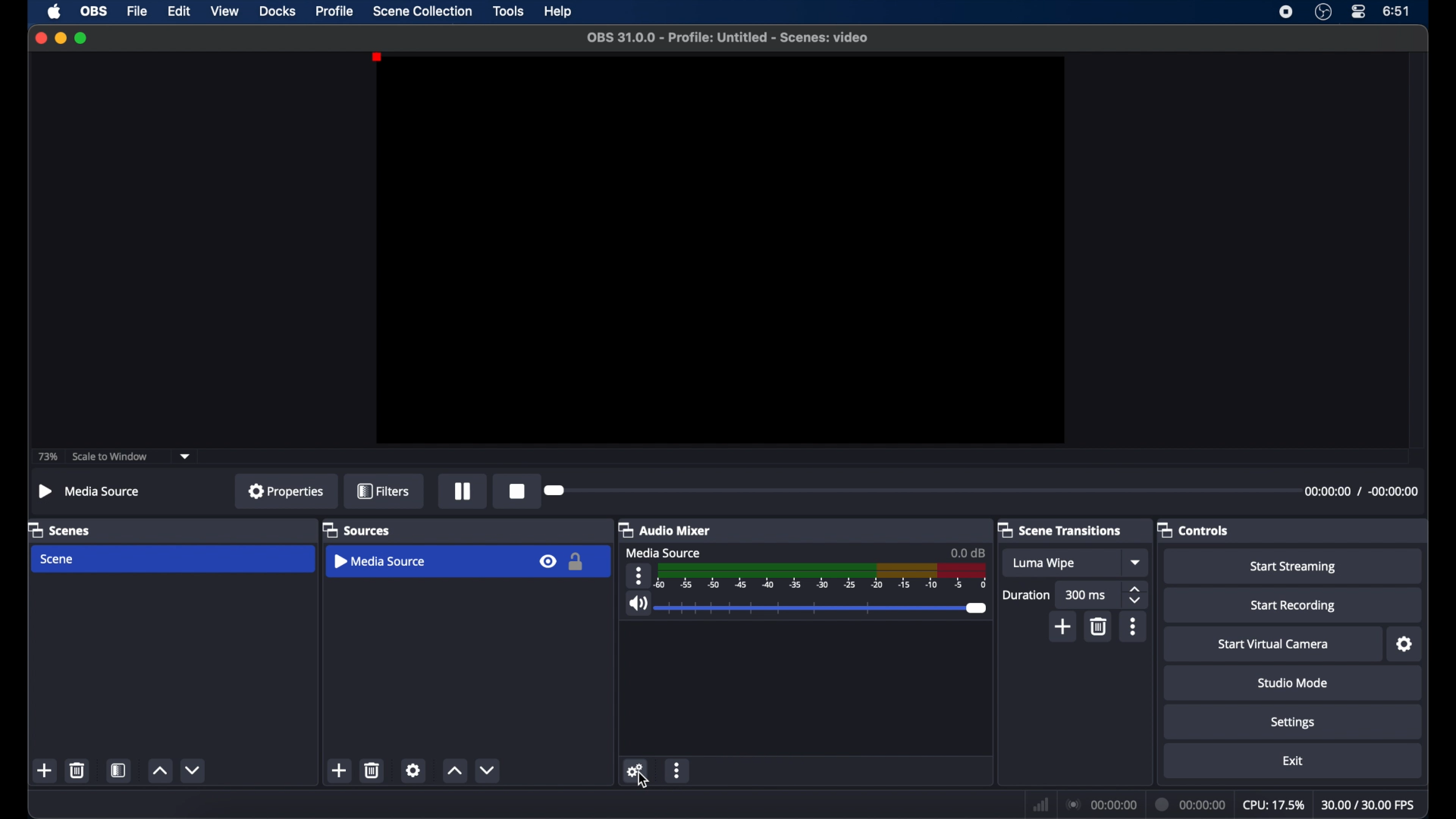  What do you see at coordinates (1294, 723) in the screenshot?
I see `settings` at bounding box center [1294, 723].